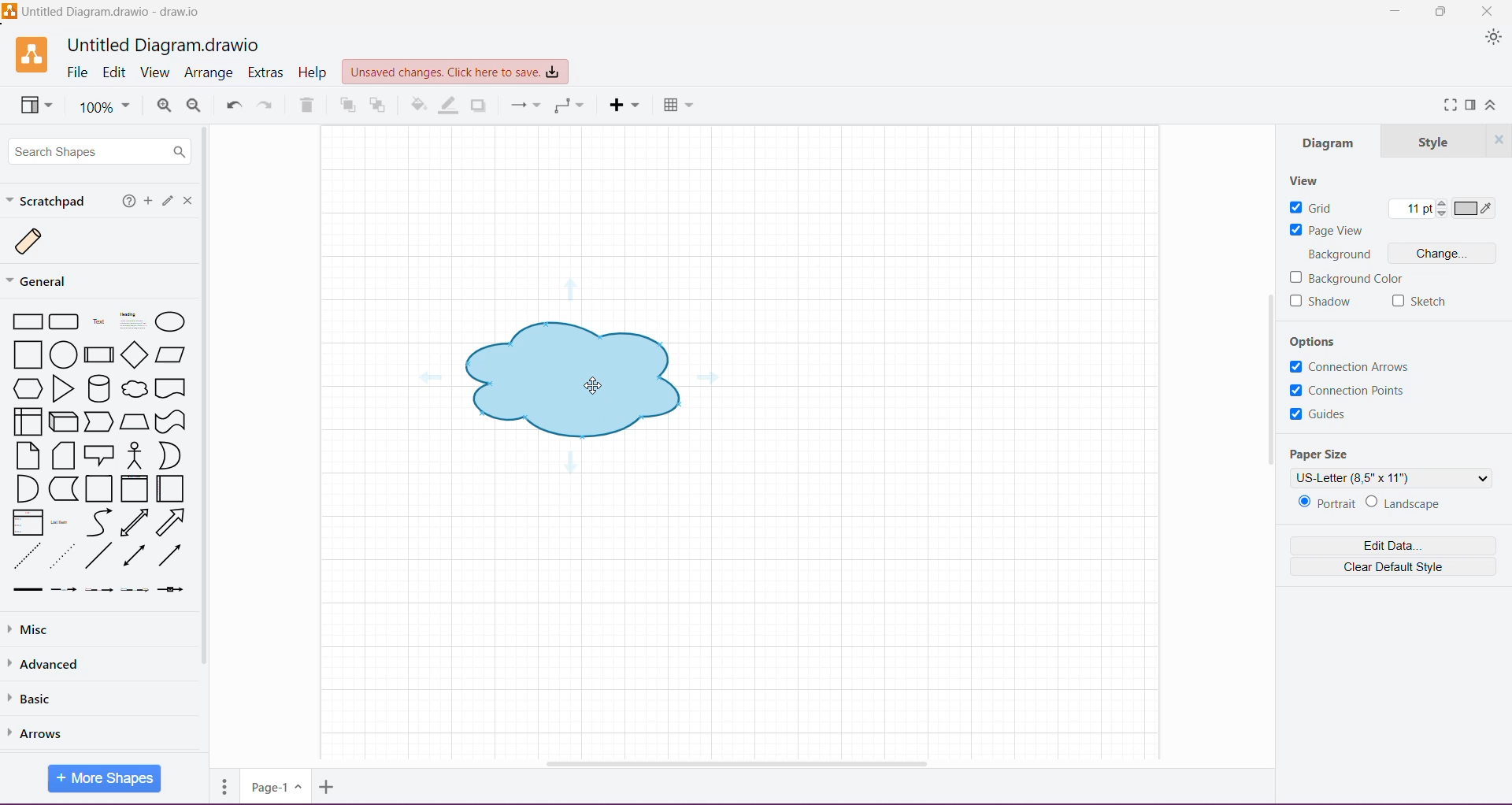 This screenshot has height=805, width=1512. Describe the element at coordinates (1420, 301) in the screenshot. I see `Sketch` at that location.